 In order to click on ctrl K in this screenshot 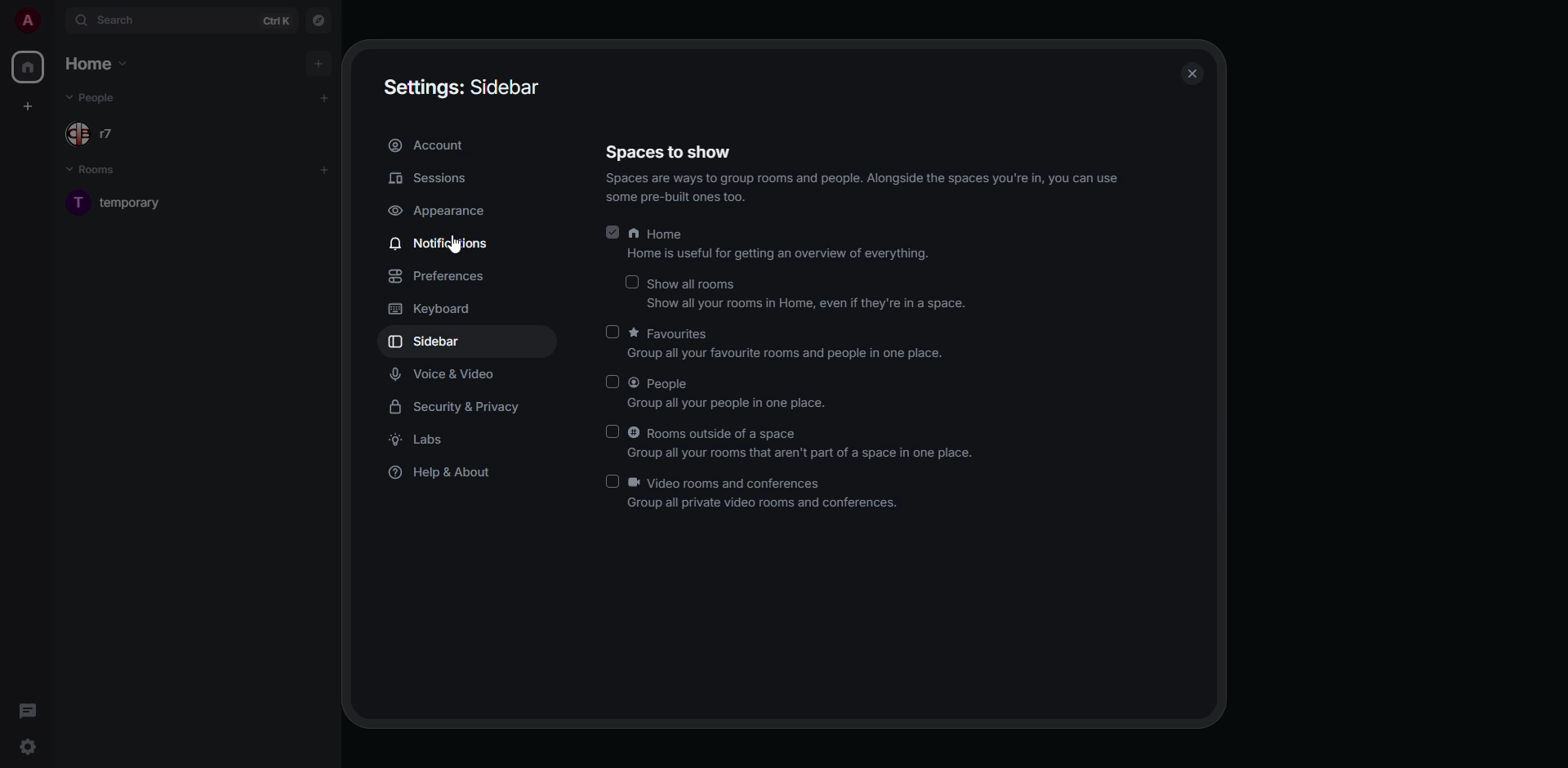, I will do `click(275, 20)`.